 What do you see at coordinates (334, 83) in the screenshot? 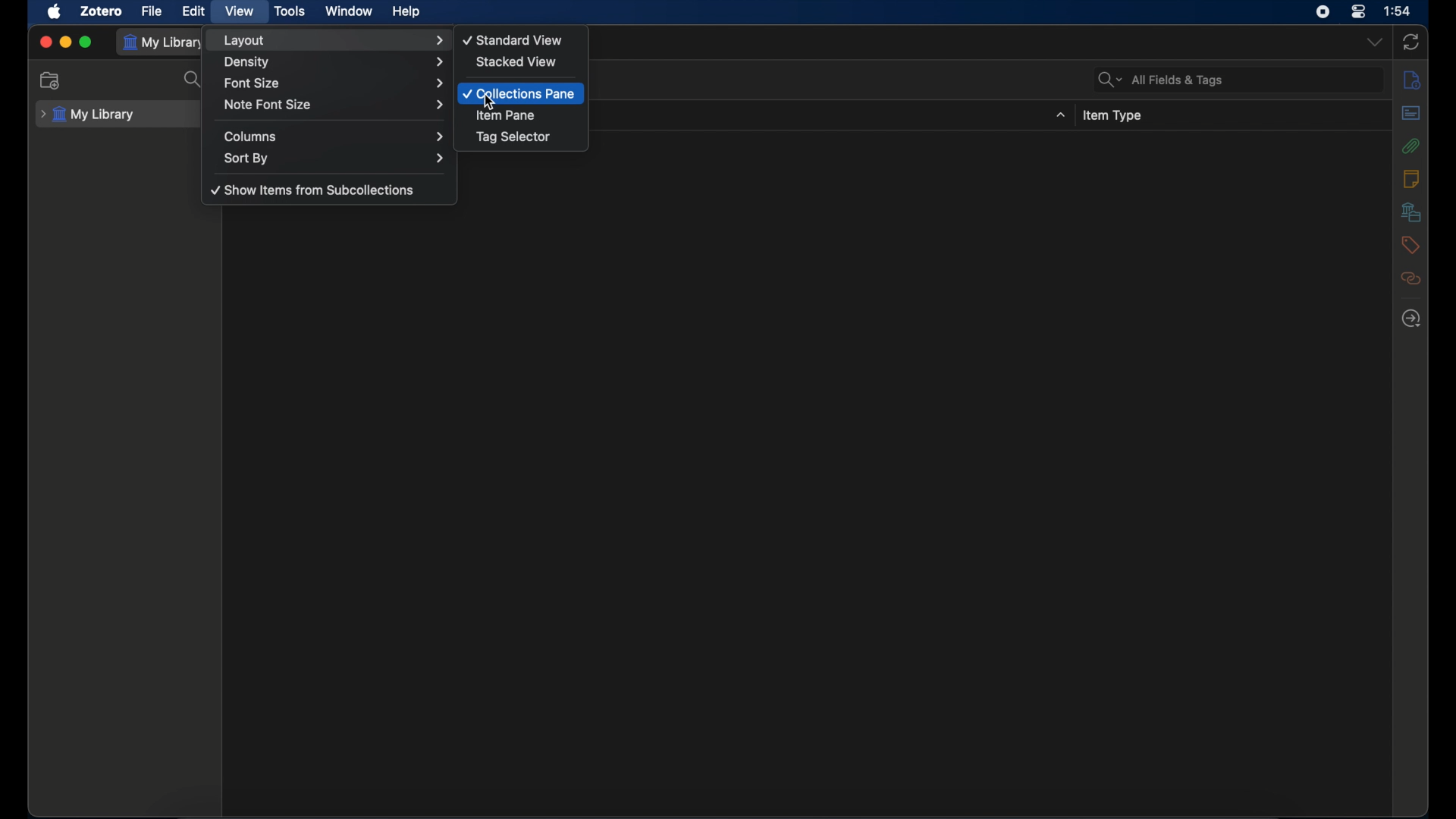
I see `font size` at bounding box center [334, 83].